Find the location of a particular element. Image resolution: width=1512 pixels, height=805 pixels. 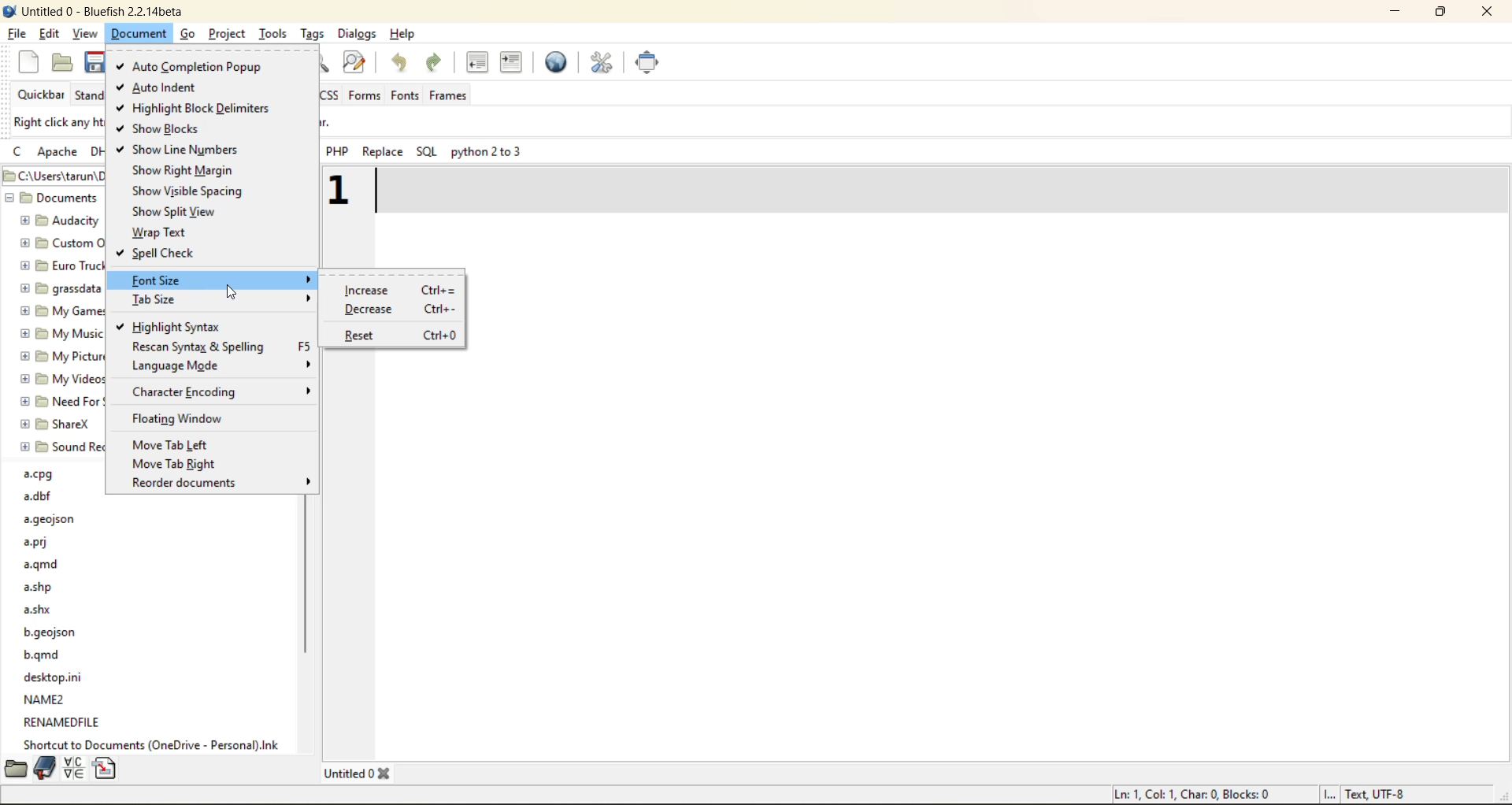

need for speed (TM) unbound is located at coordinates (61, 402).